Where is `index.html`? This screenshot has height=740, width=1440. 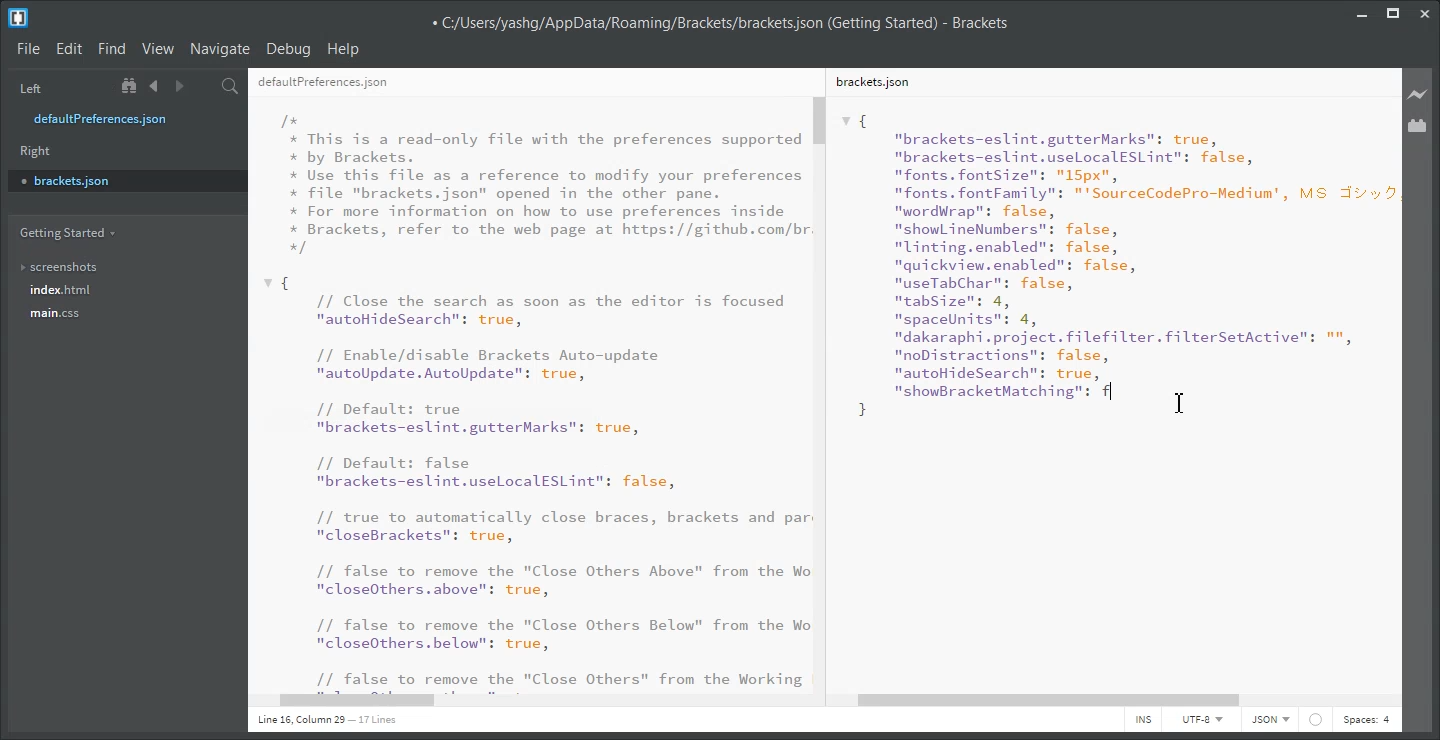 index.html is located at coordinates (61, 290).